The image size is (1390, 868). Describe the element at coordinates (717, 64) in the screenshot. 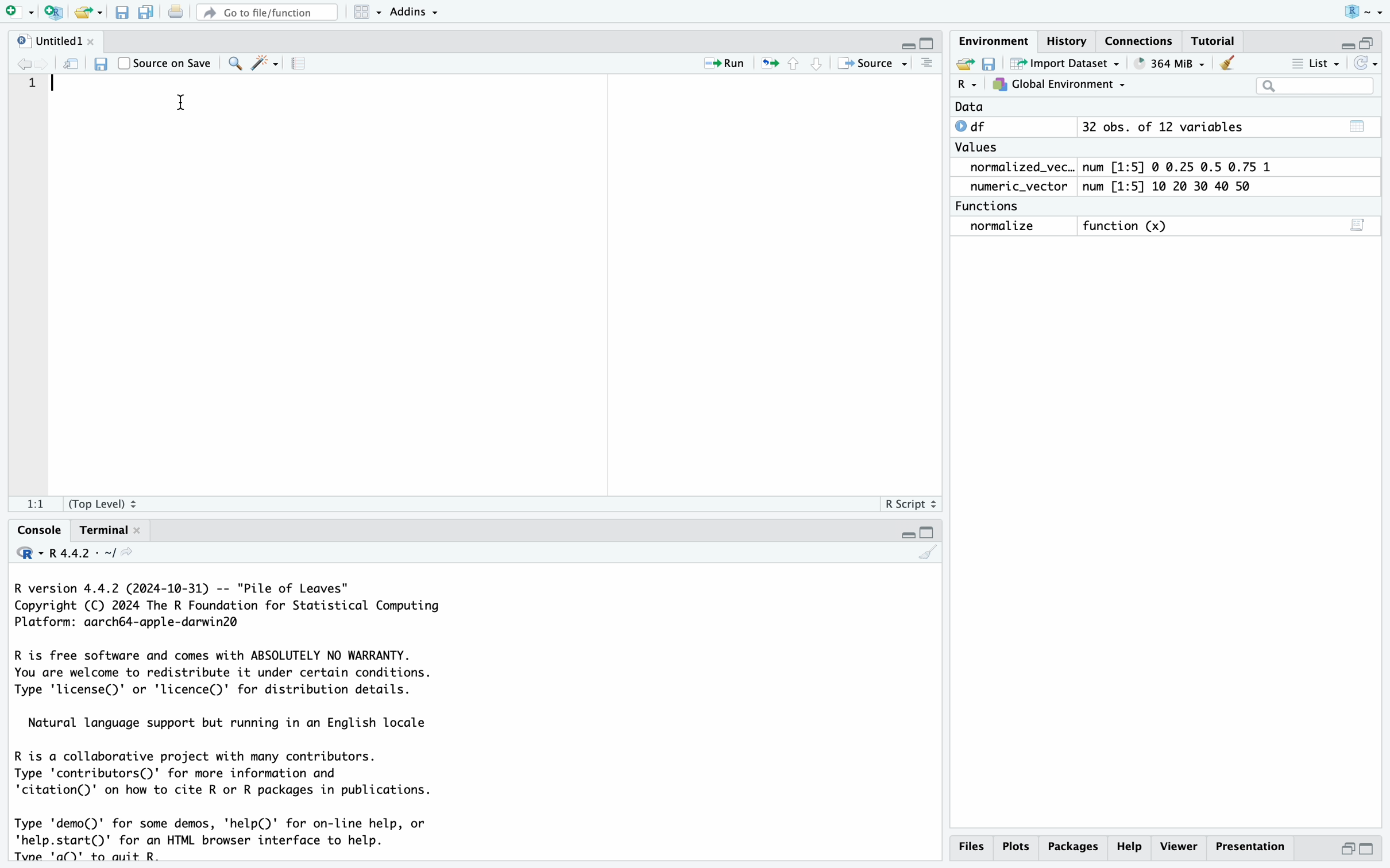

I see `Run` at that location.